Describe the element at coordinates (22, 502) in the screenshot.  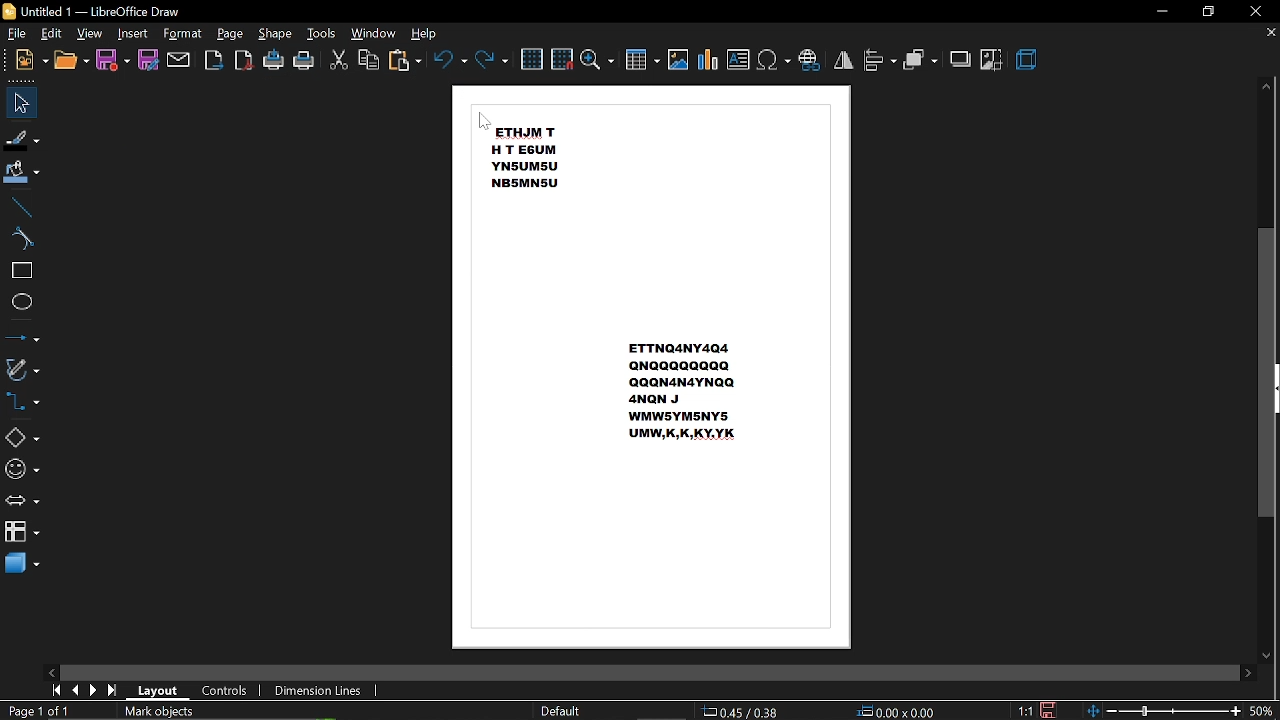
I see `arrows` at that location.